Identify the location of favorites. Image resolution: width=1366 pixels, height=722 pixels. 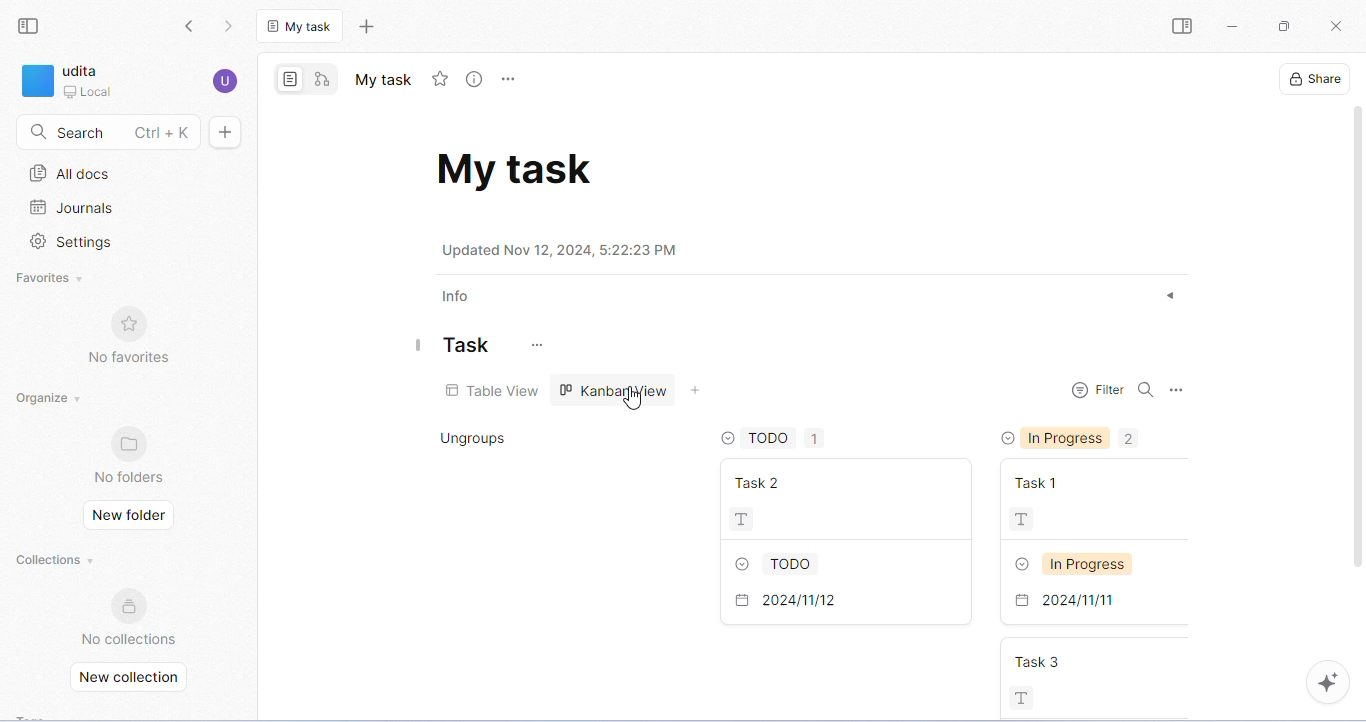
(49, 280).